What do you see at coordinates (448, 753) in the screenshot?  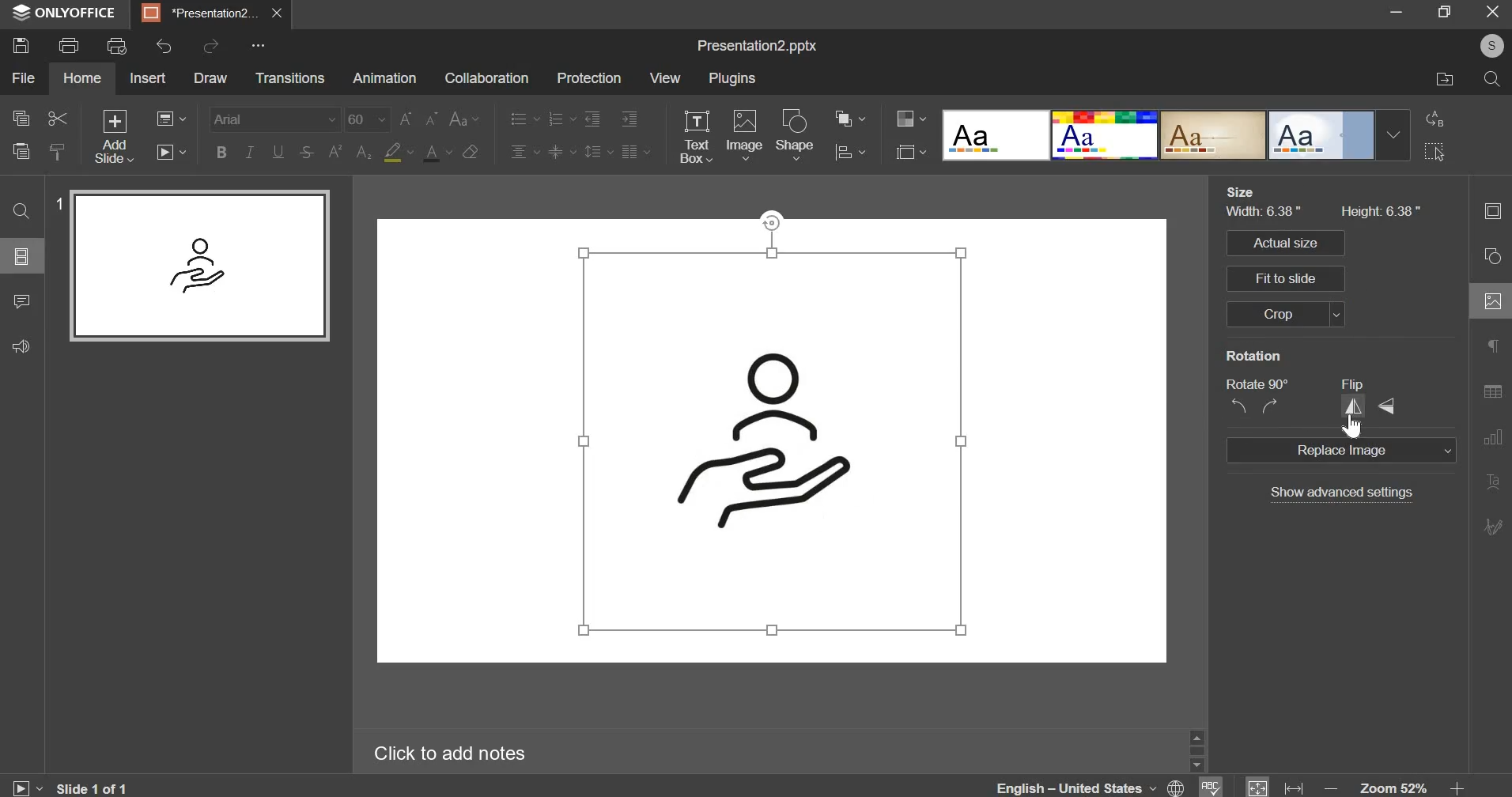 I see `Click to add notes` at bounding box center [448, 753].